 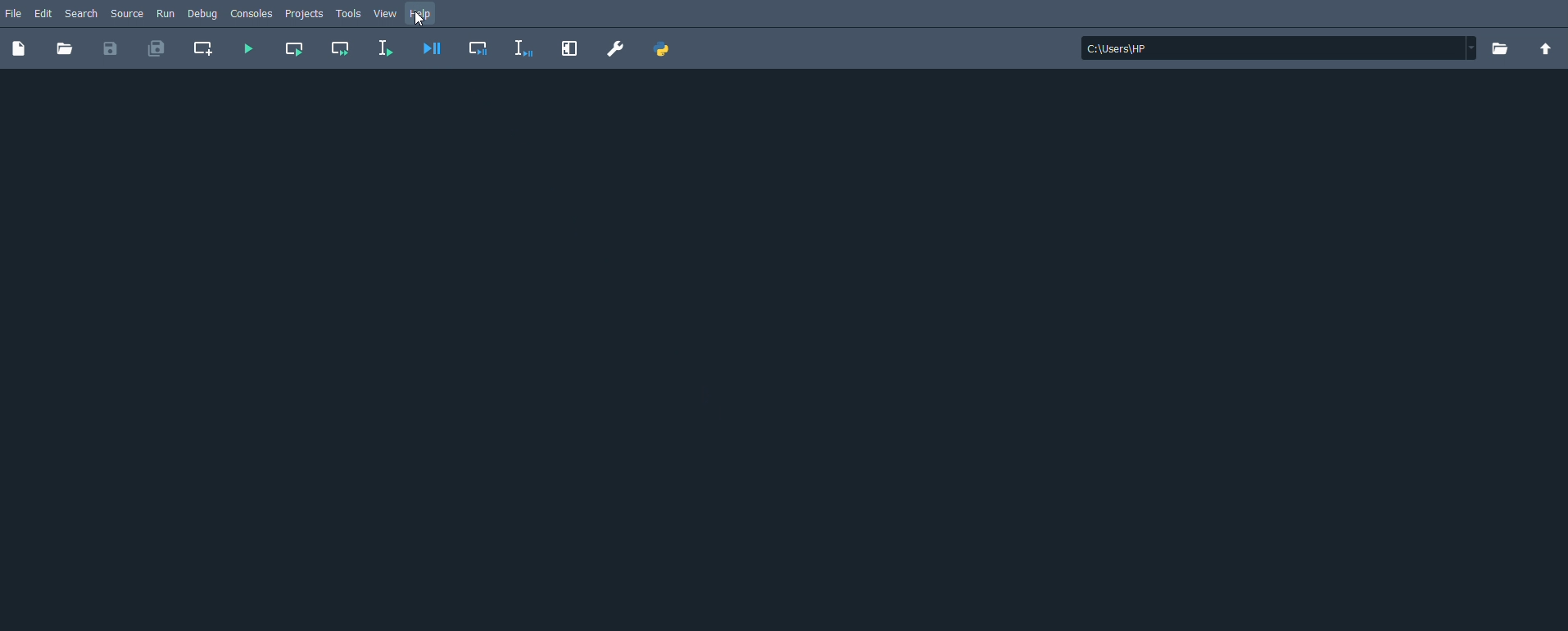 I want to click on File location, so click(x=1280, y=48).